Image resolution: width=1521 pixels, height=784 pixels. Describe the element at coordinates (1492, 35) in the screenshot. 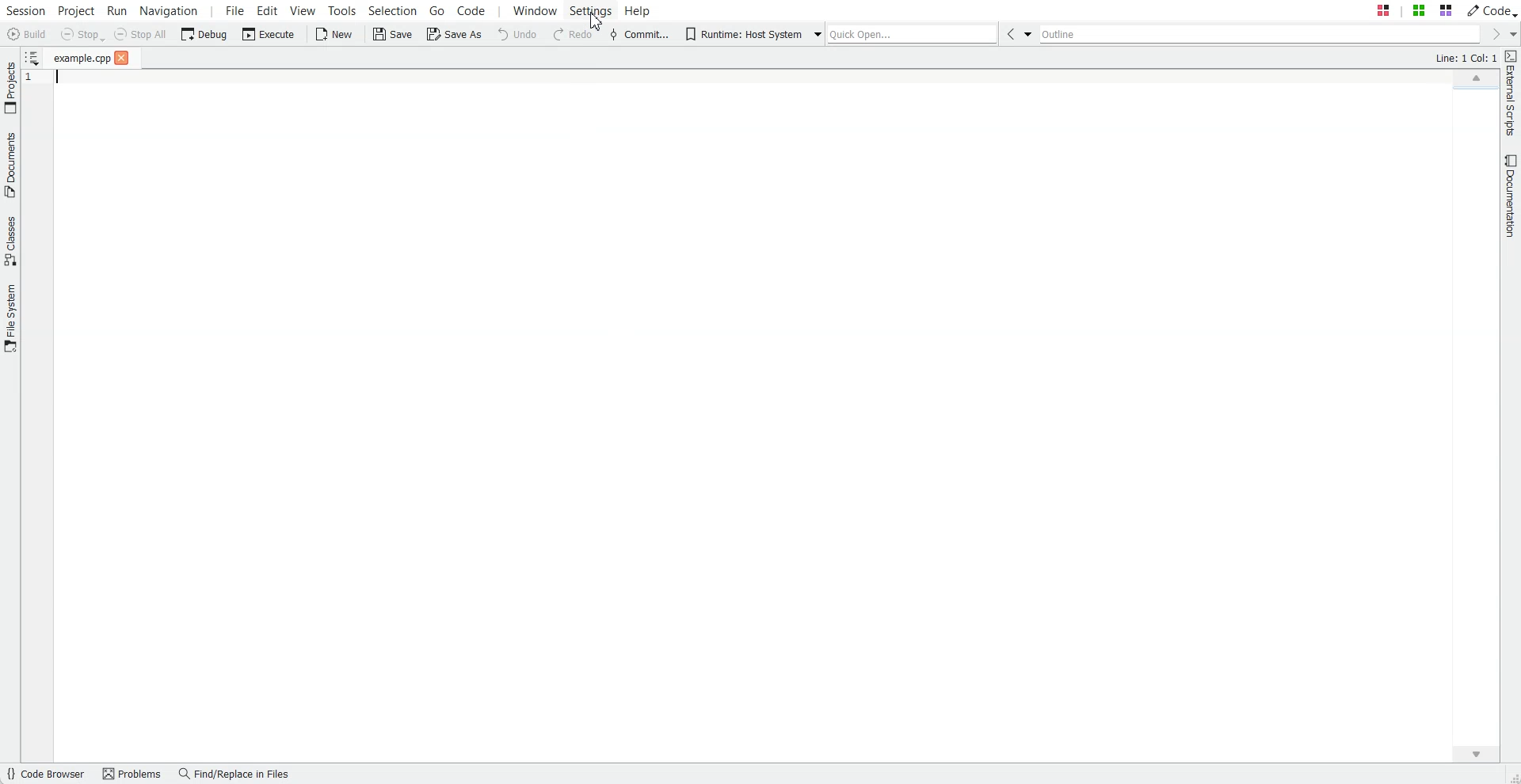

I see `Go Forward` at that location.